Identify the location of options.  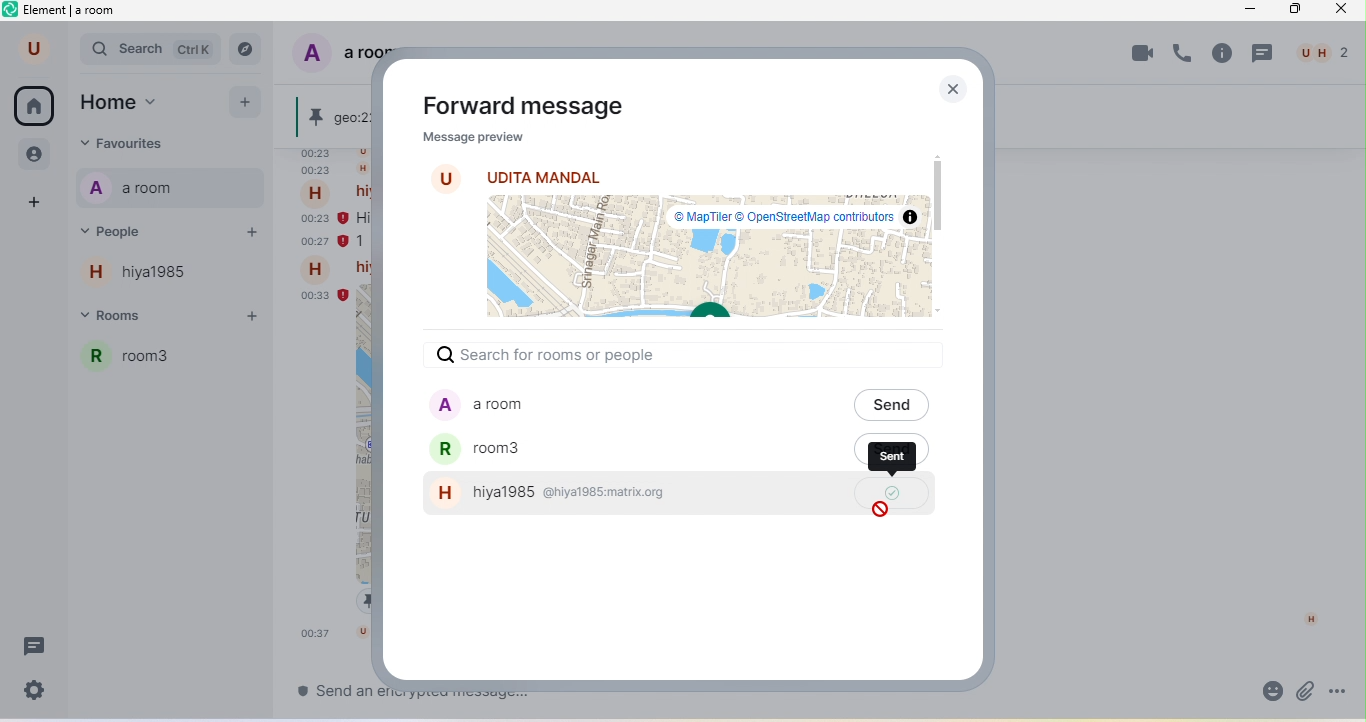
(1342, 689).